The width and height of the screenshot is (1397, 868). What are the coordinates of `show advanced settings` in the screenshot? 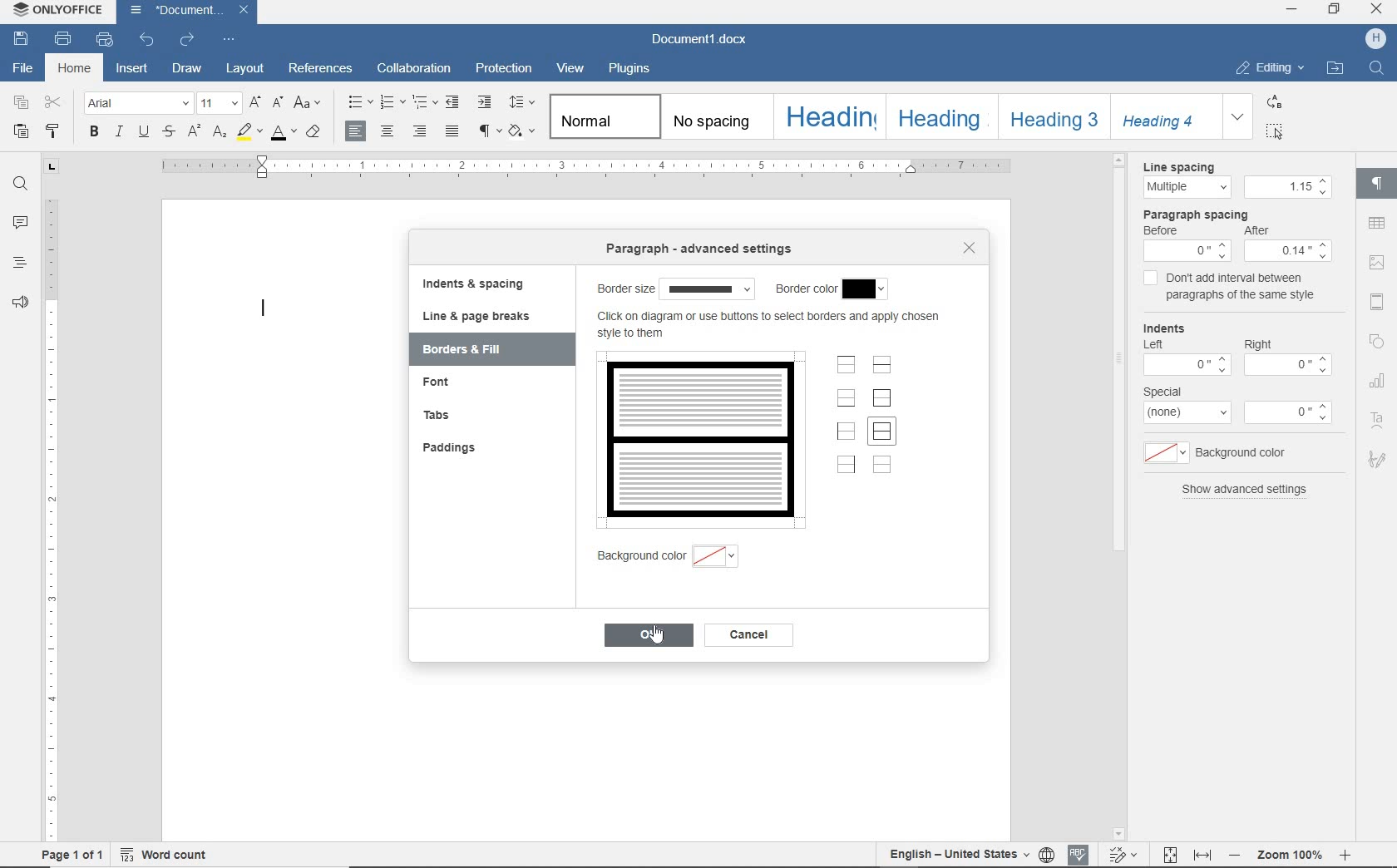 It's located at (1244, 491).